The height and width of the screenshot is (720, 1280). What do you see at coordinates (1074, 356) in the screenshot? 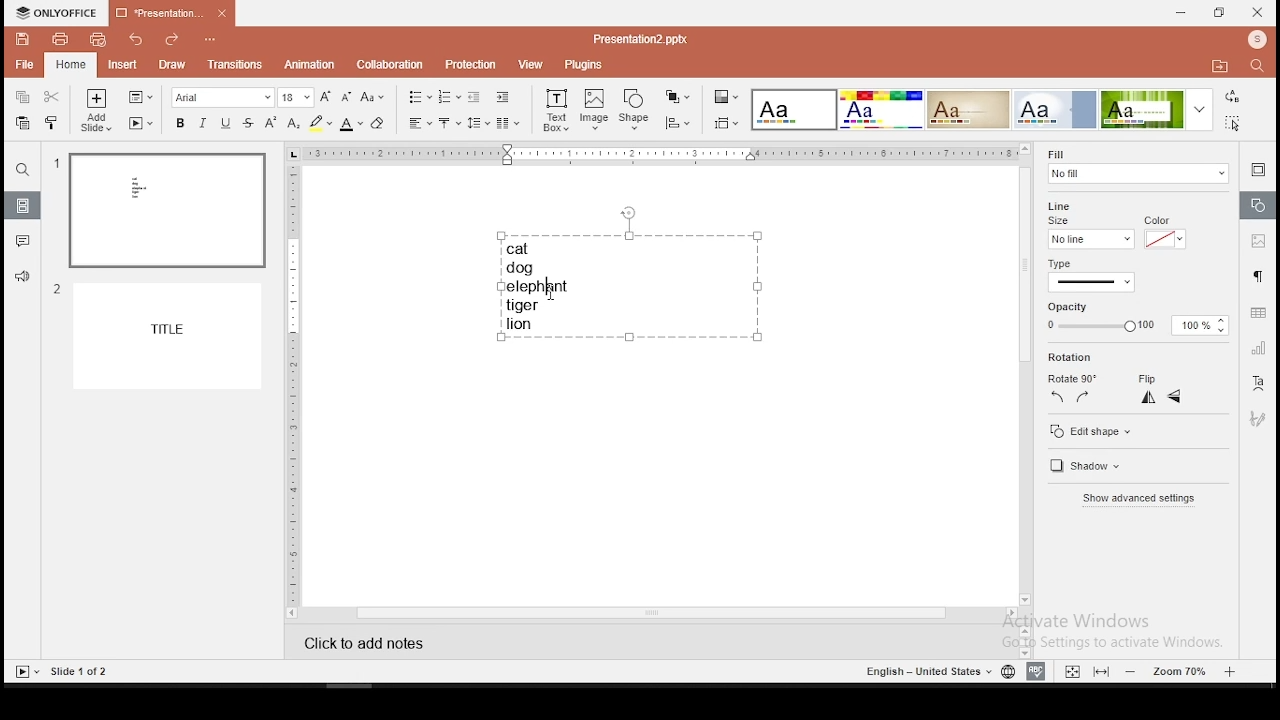
I see `Rotation` at bounding box center [1074, 356].